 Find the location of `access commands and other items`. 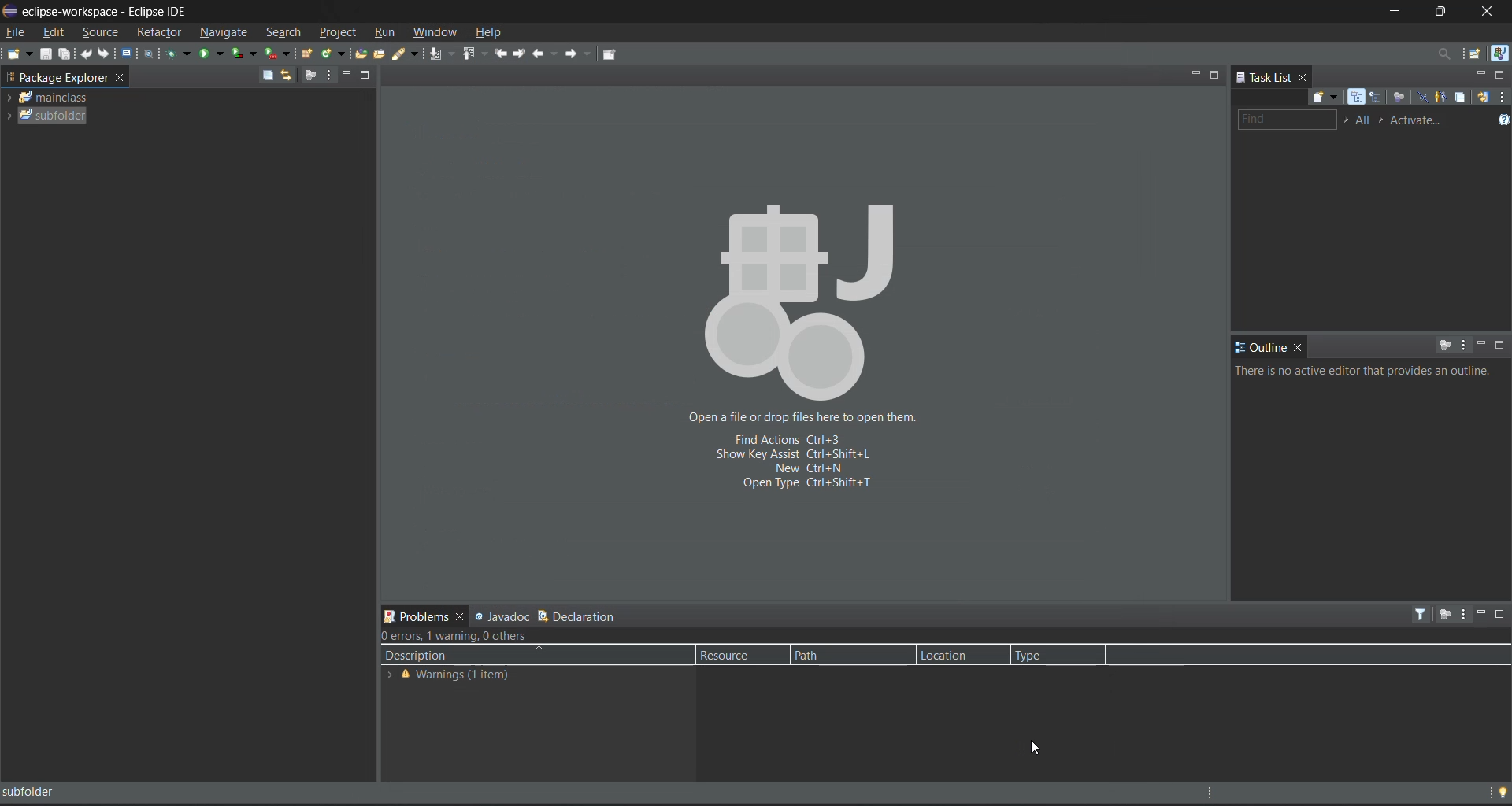

access commands and other items is located at coordinates (1440, 52).